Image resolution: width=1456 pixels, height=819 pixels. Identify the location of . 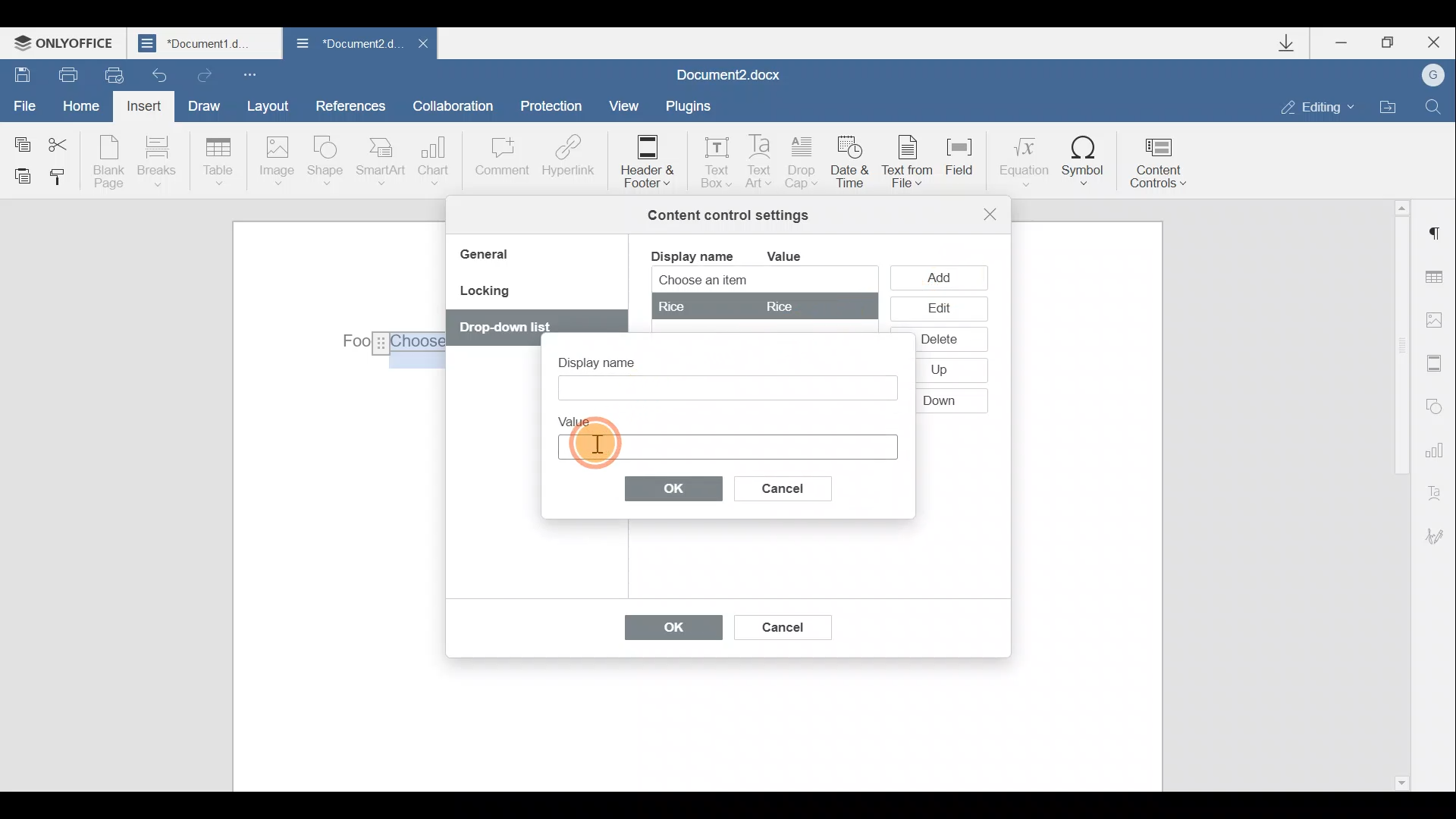
(511, 326).